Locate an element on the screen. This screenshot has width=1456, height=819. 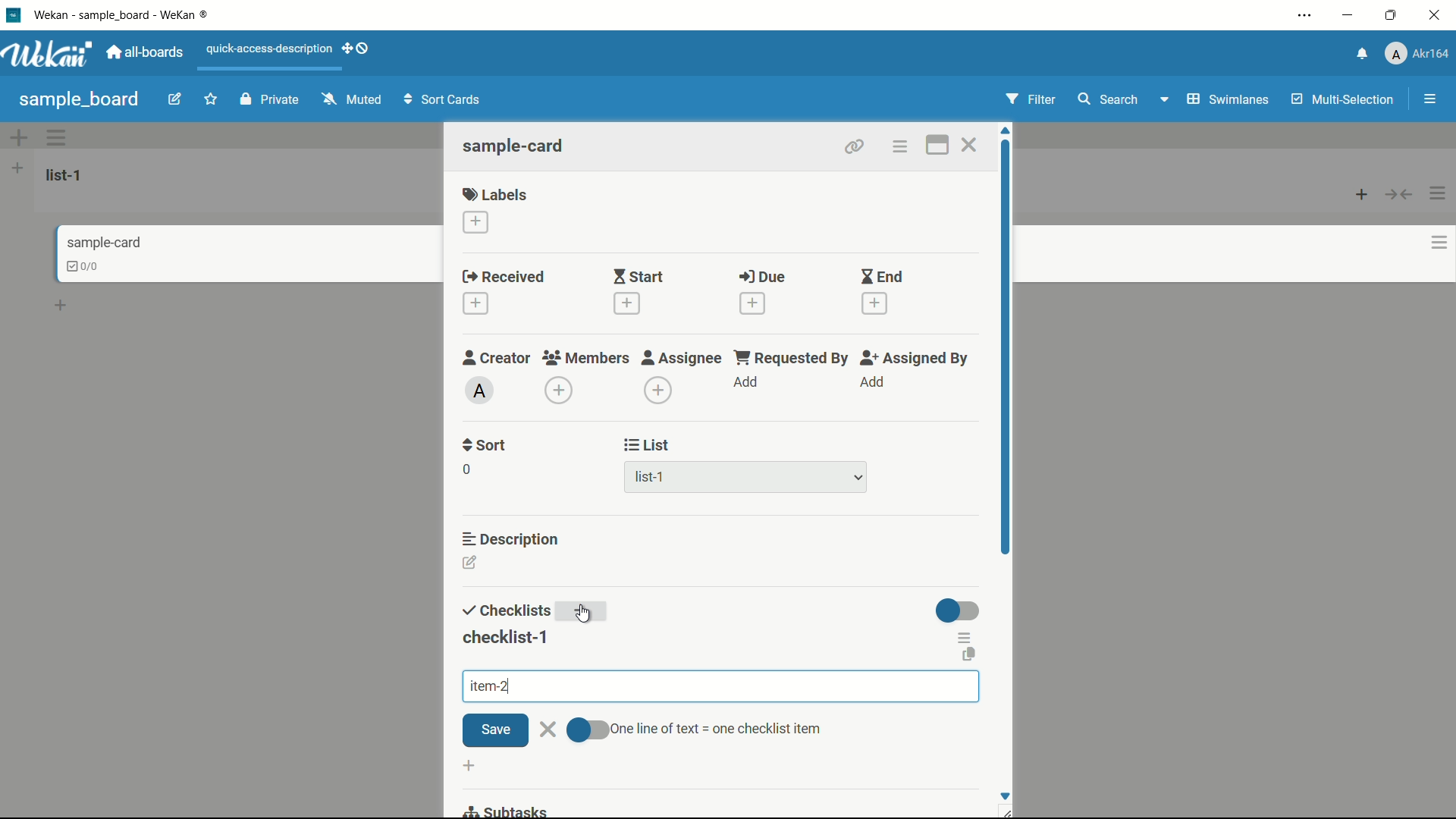
star is located at coordinates (213, 101).